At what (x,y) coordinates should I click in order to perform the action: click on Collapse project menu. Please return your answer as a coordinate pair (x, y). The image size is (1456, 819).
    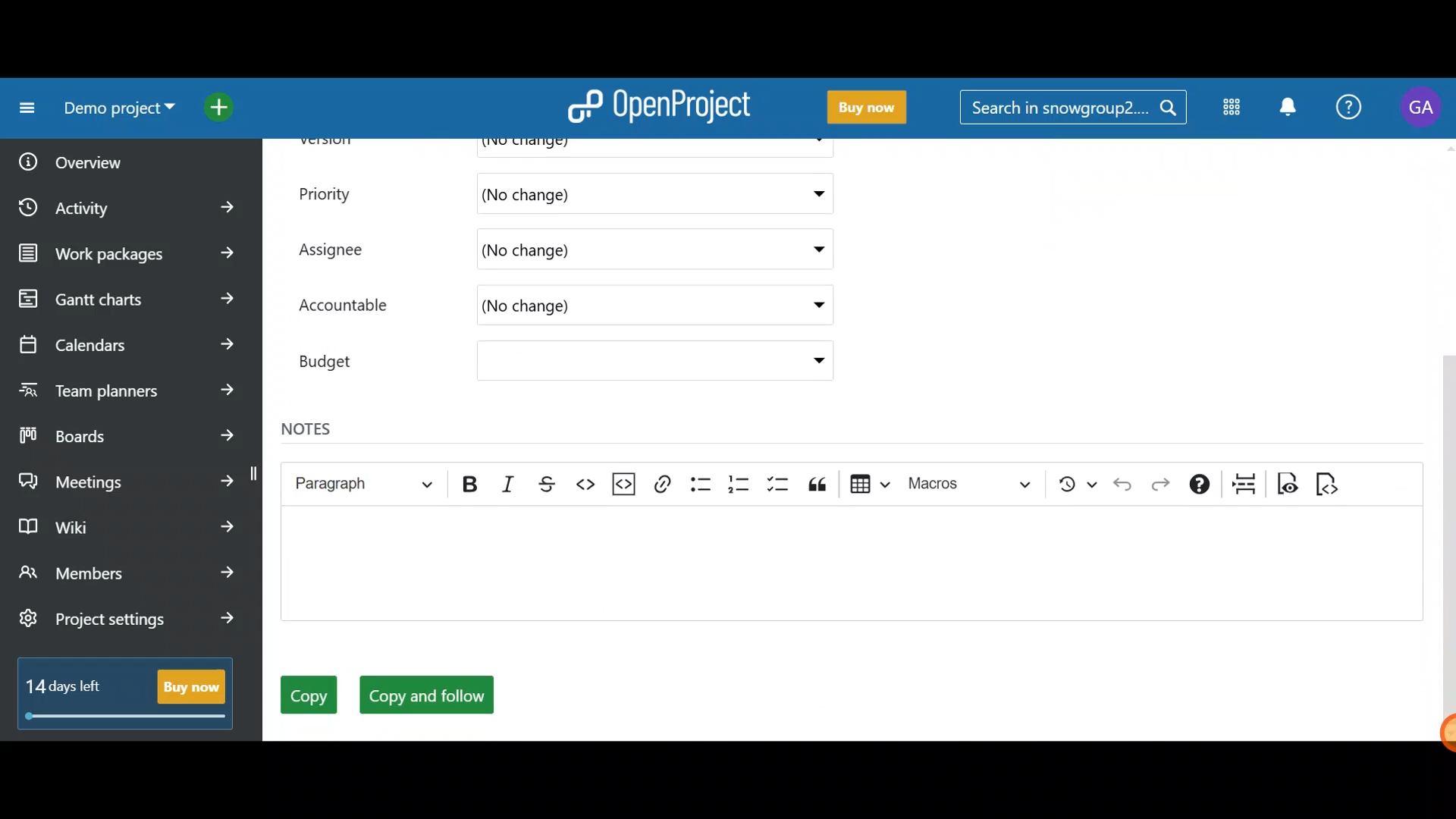
    Looking at the image, I should click on (24, 108).